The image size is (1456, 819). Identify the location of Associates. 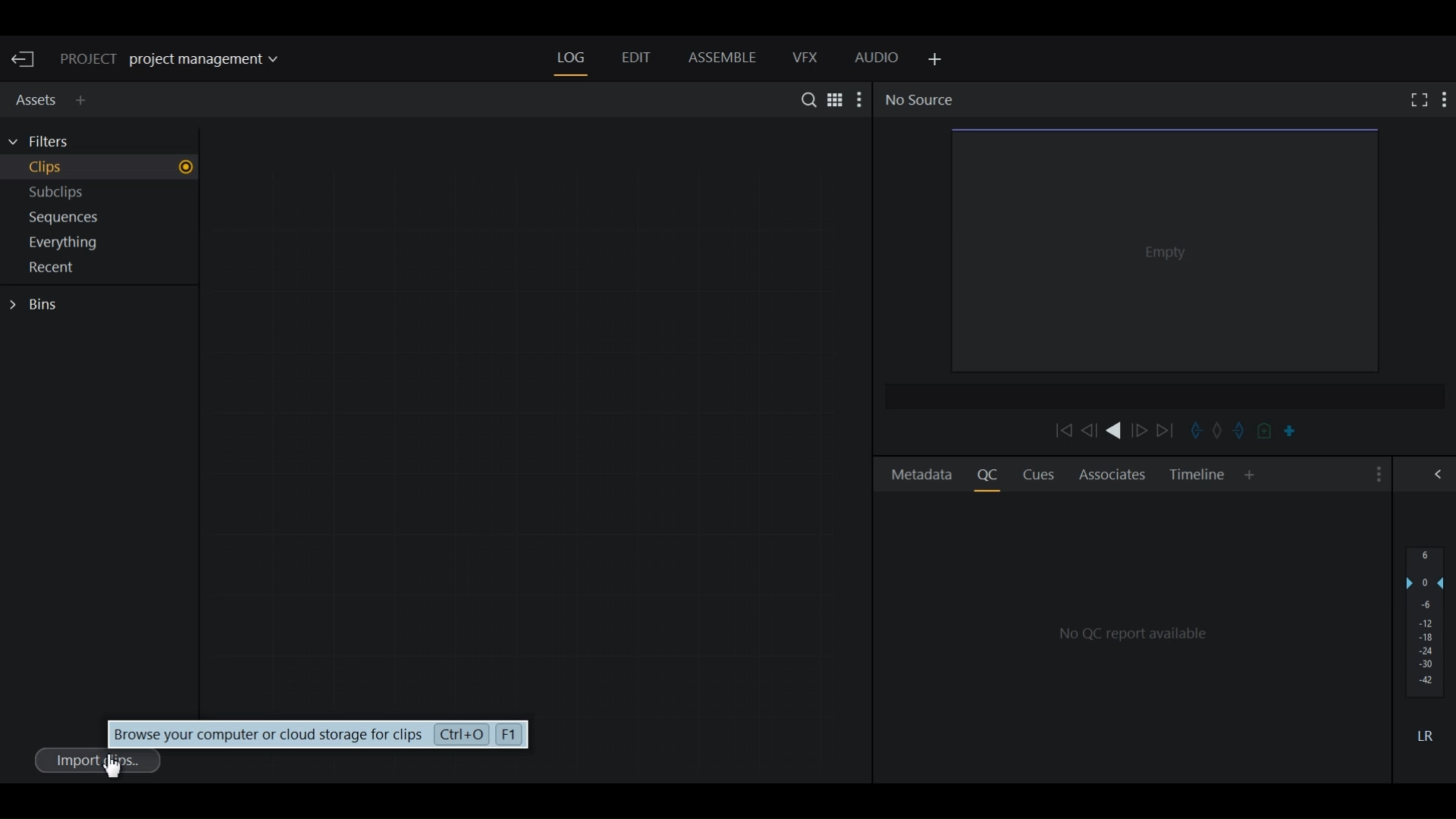
(1112, 474).